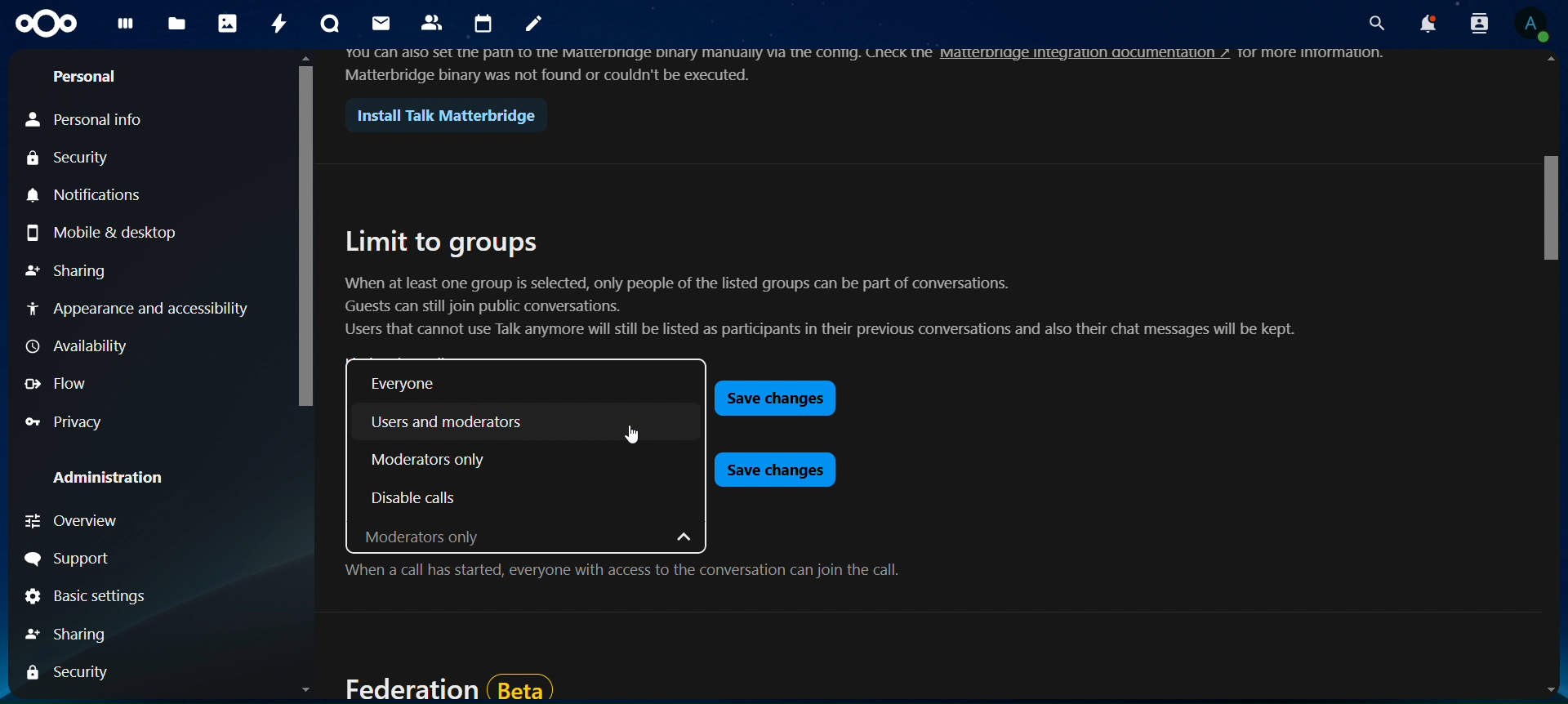  Describe the element at coordinates (448, 687) in the screenshot. I see `federation` at that location.